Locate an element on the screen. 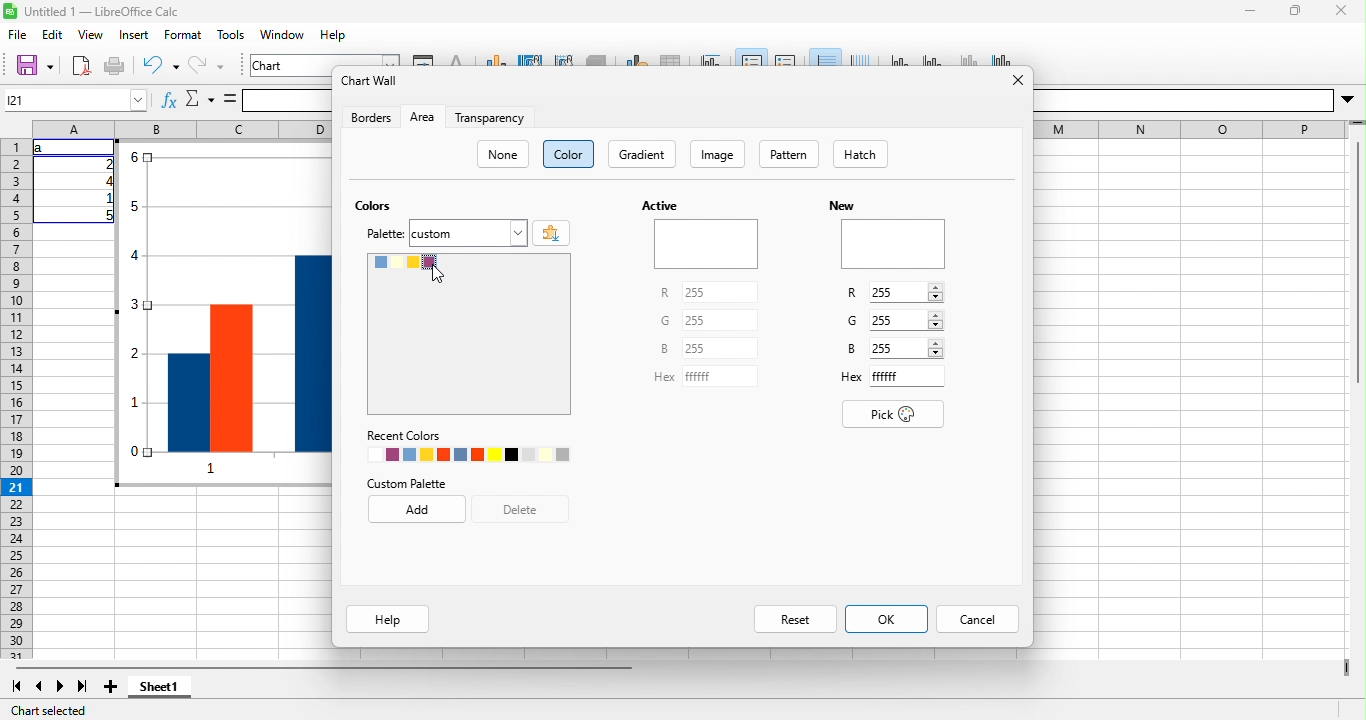 The width and height of the screenshot is (1366, 720). B is located at coordinates (852, 348).